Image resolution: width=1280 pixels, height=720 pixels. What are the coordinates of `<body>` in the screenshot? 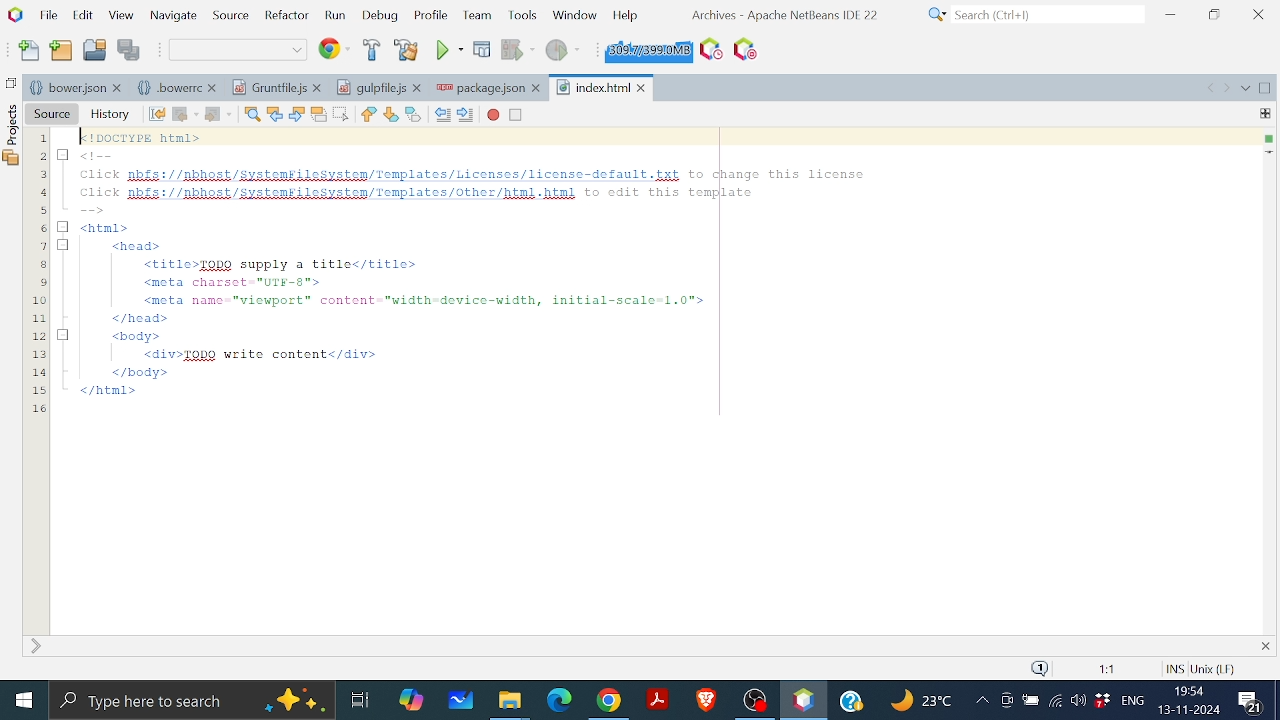 It's located at (135, 336).